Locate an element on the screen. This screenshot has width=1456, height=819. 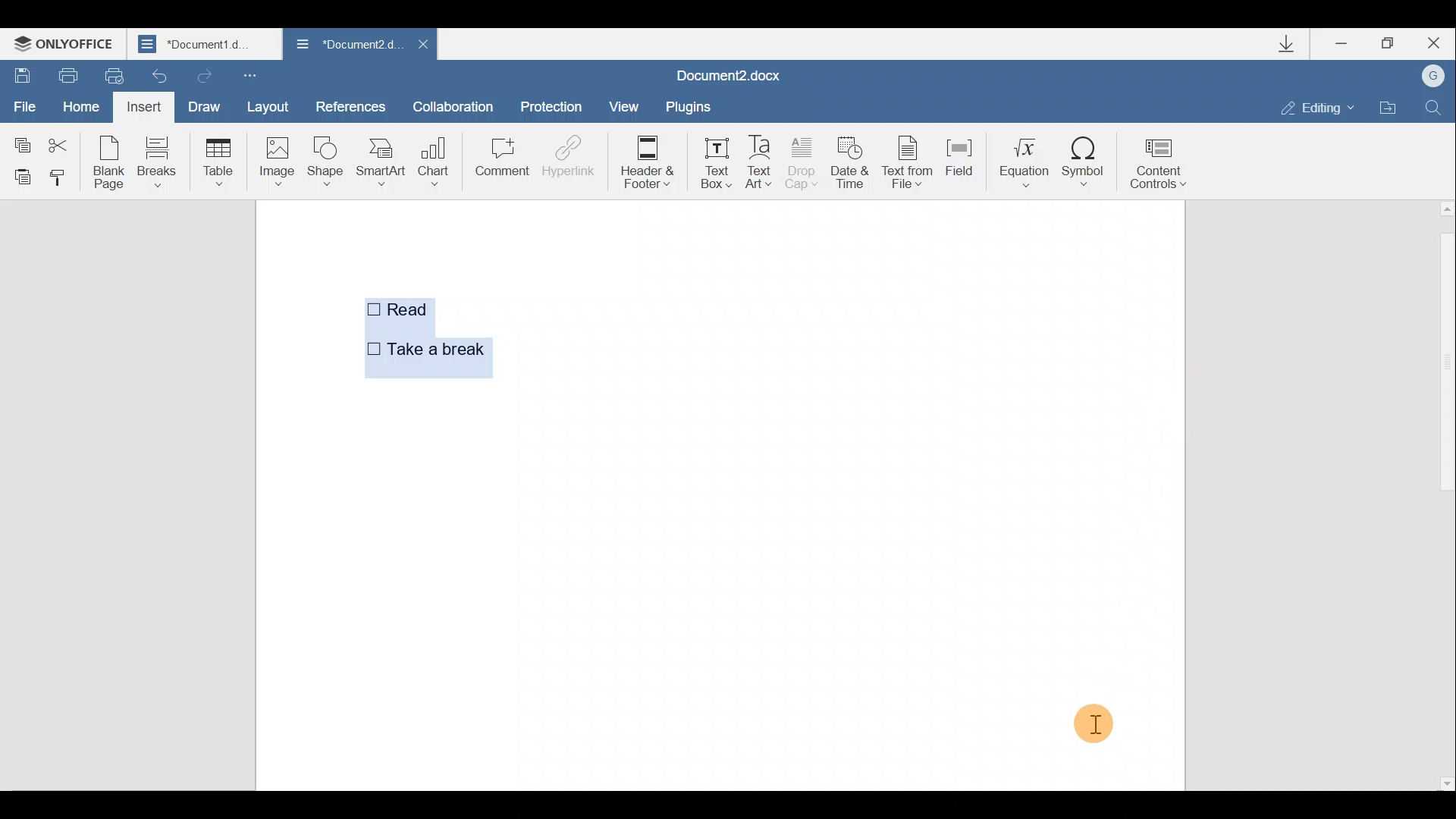
Insert is located at coordinates (142, 106).